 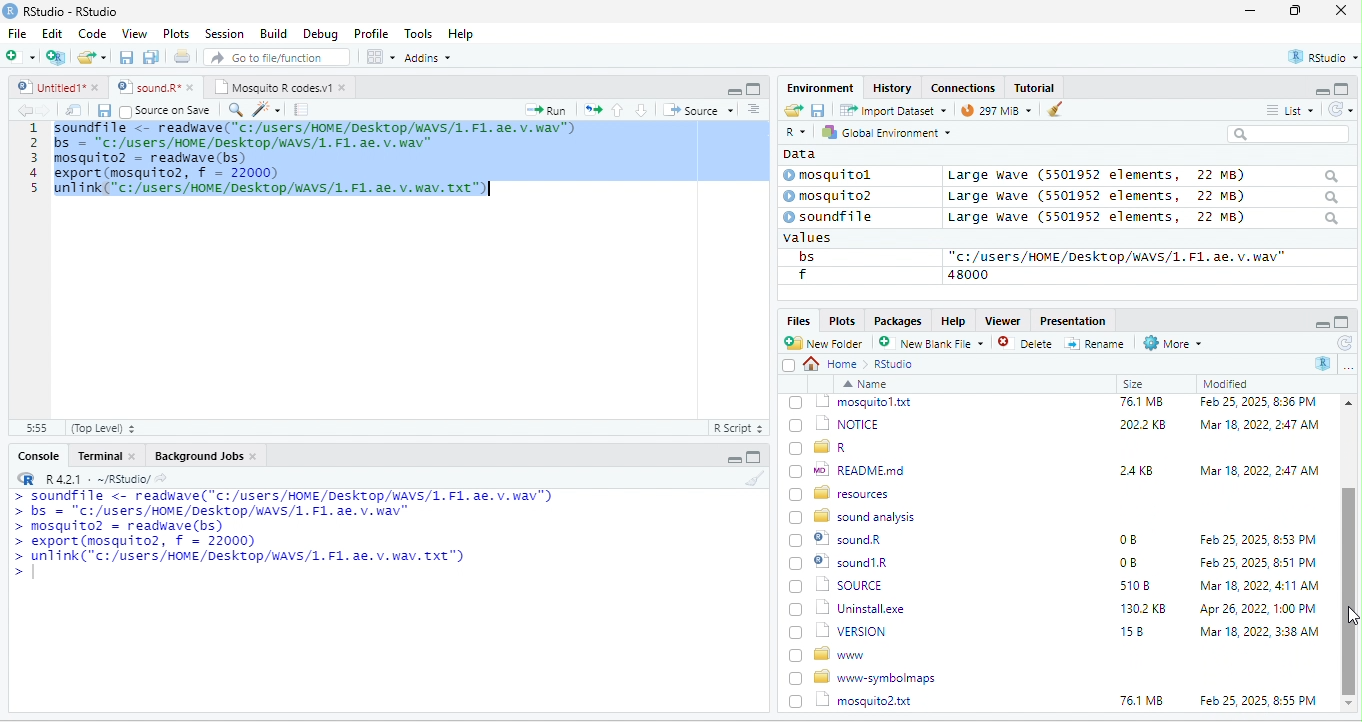 I want to click on f, so click(x=802, y=275).